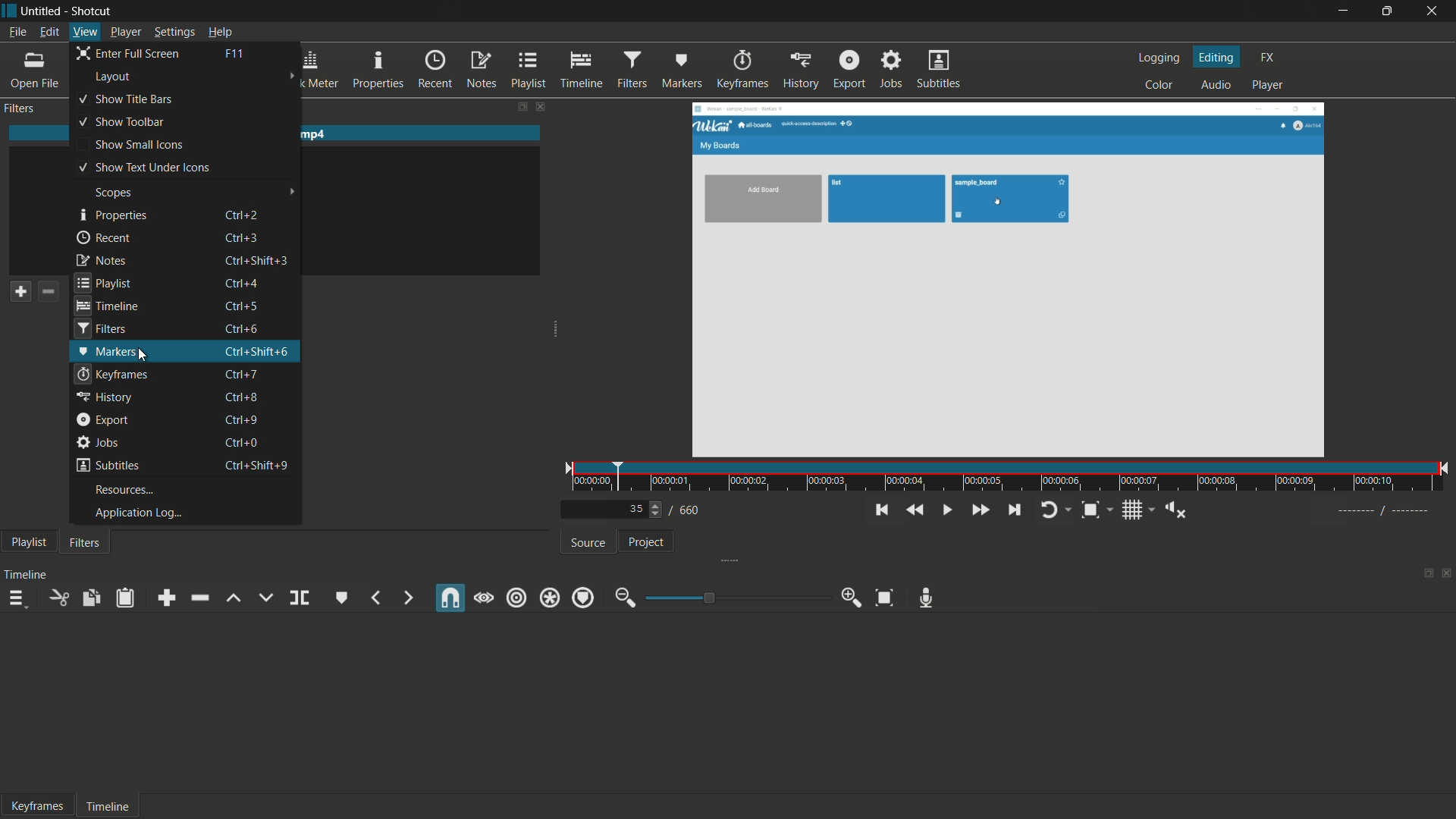 The image size is (1456, 819). Describe the element at coordinates (100, 283) in the screenshot. I see `playlist` at that location.